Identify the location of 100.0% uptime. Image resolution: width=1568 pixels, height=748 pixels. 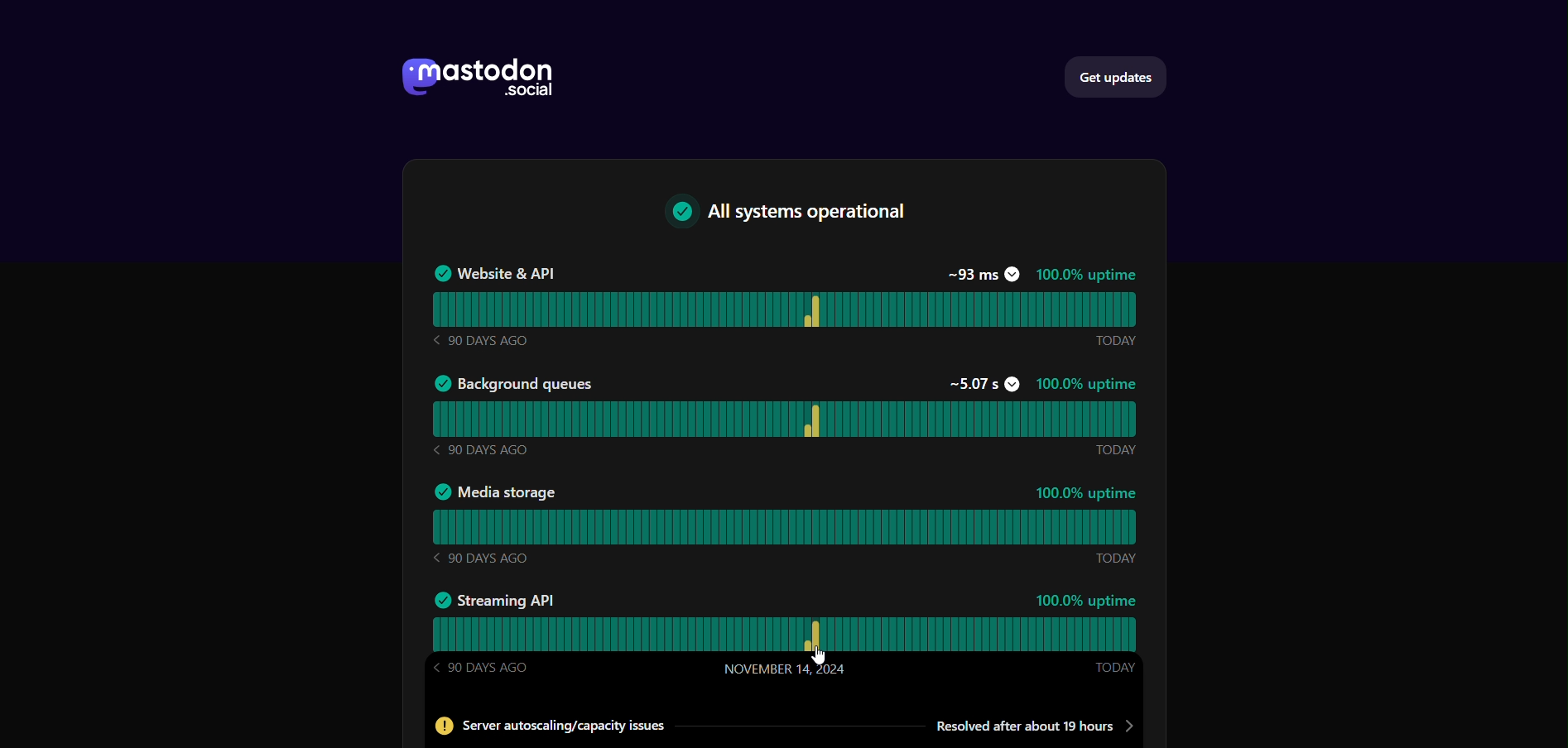
(1086, 276).